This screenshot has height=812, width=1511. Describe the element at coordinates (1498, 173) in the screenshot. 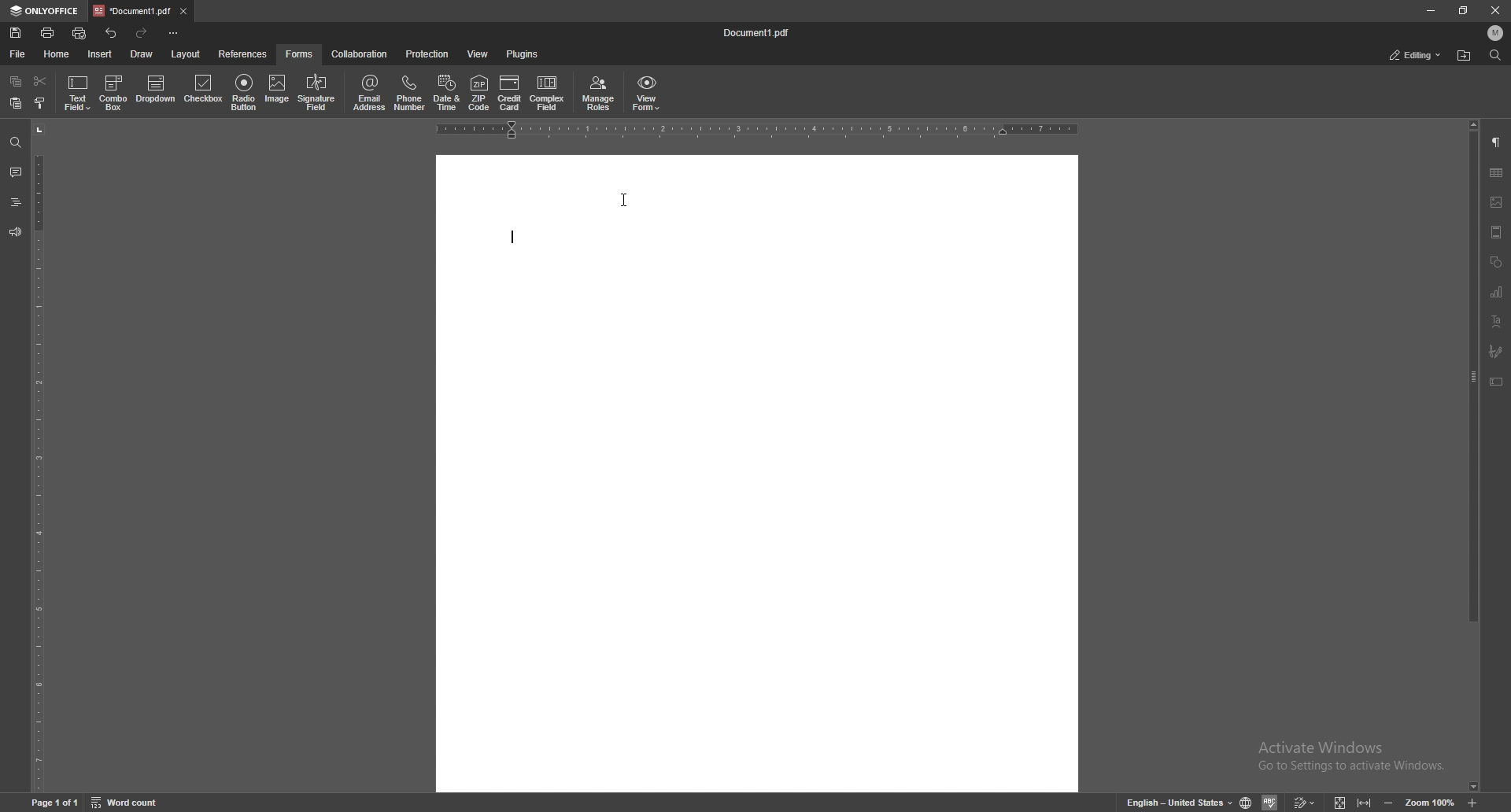

I see `table` at that location.